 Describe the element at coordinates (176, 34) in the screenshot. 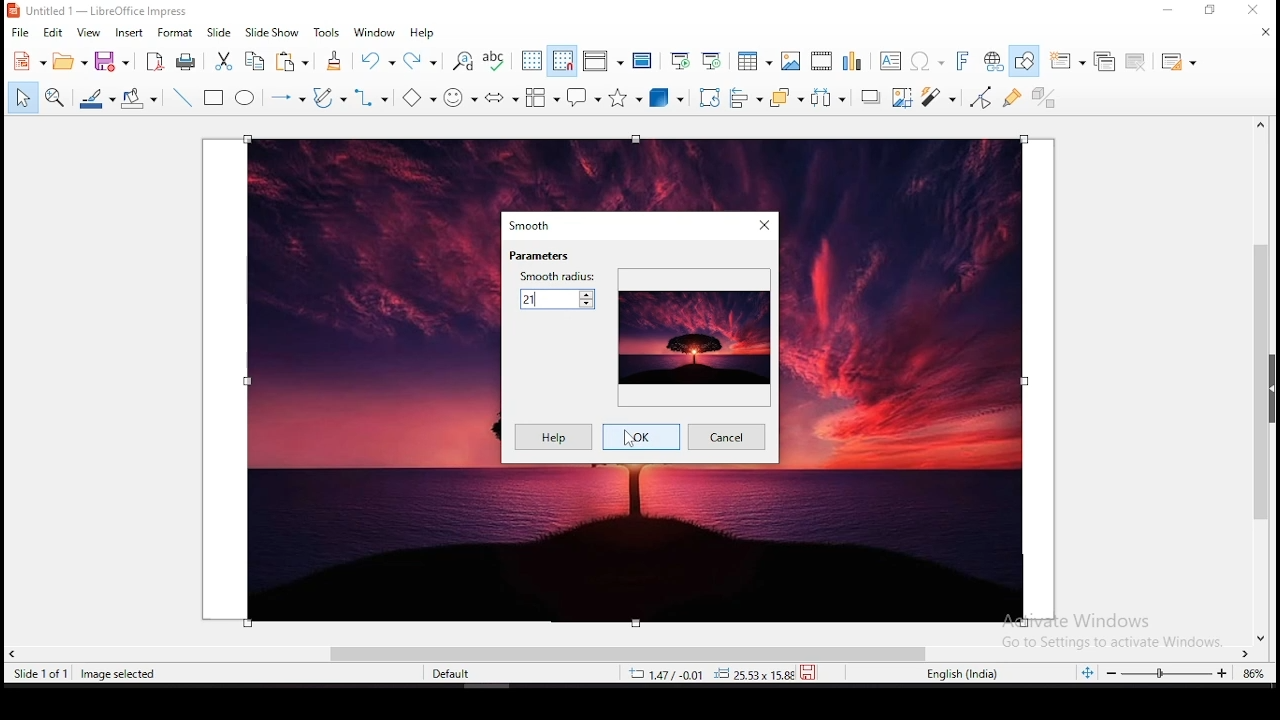

I see `format` at that location.